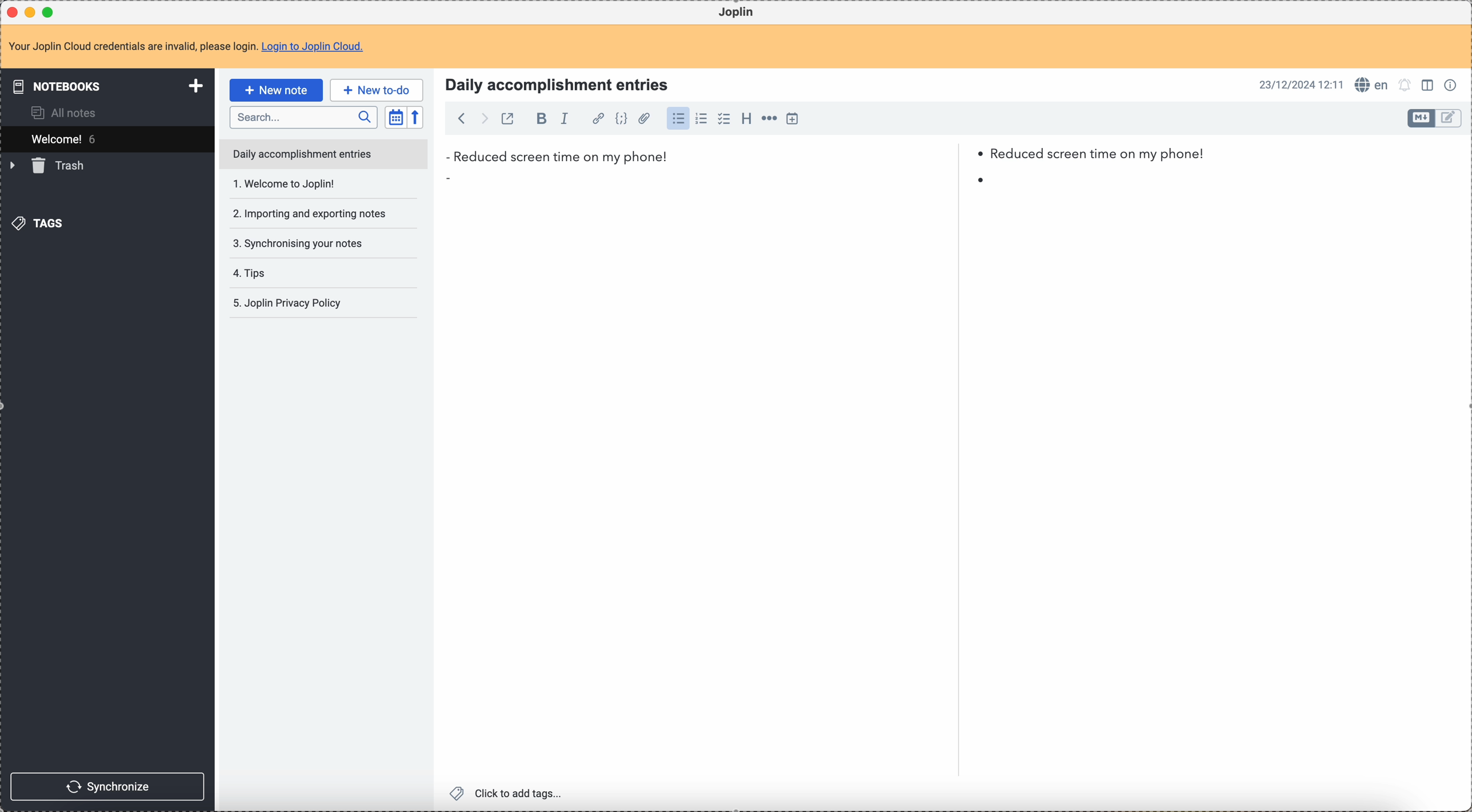  I want to click on note properties, so click(1451, 86).